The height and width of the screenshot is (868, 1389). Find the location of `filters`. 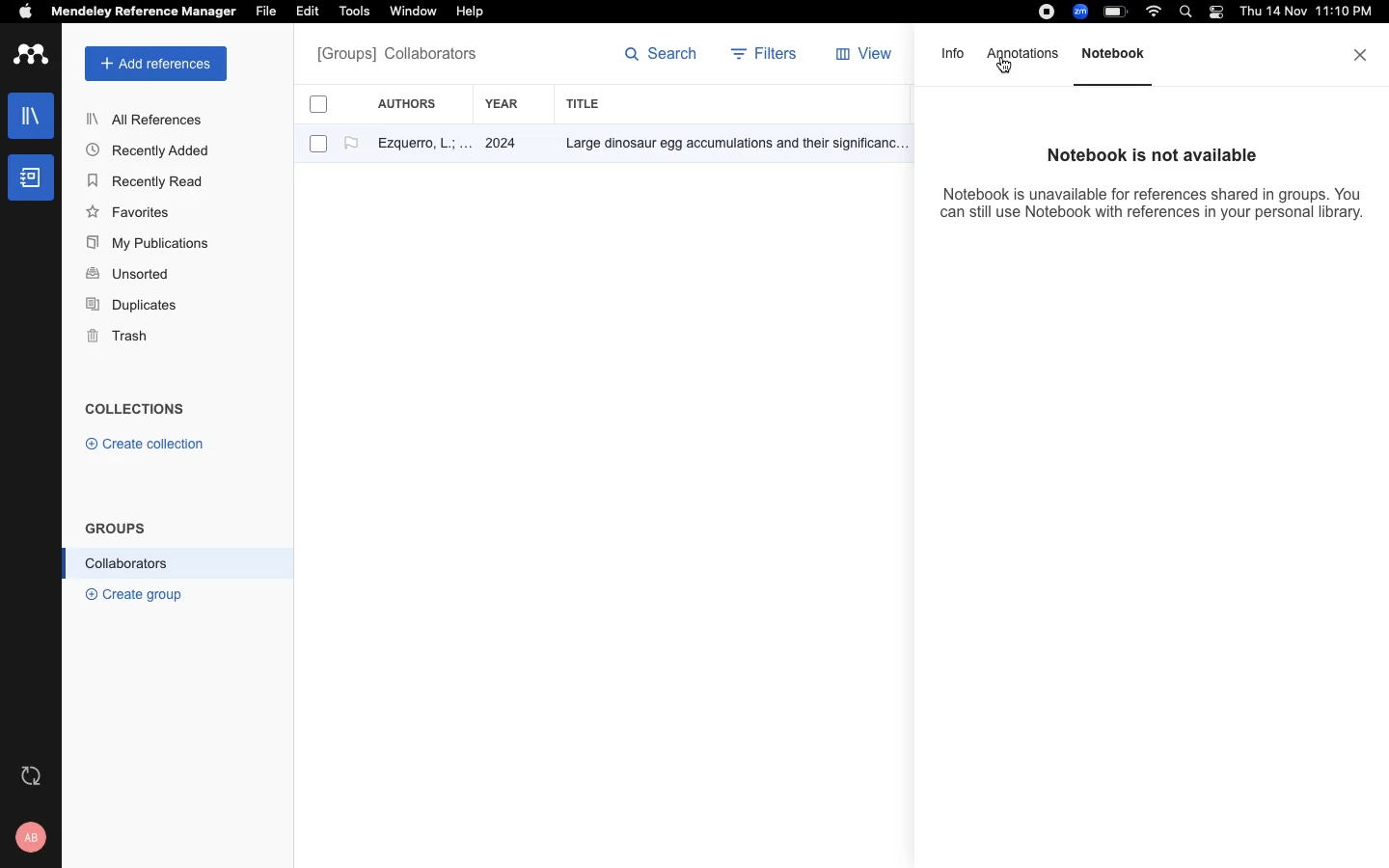

filters is located at coordinates (767, 56).